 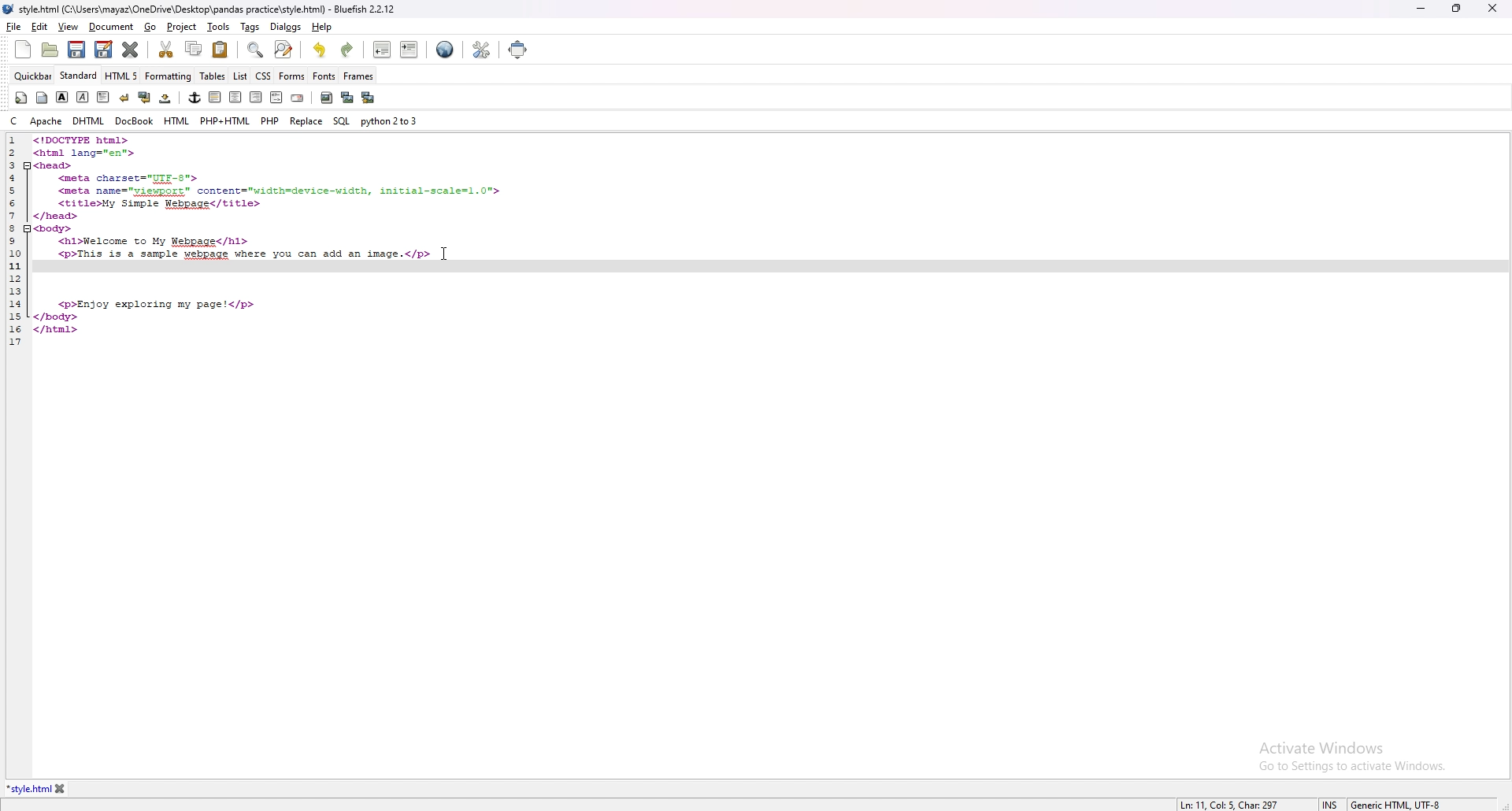 I want to click on list, so click(x=240, y=77).